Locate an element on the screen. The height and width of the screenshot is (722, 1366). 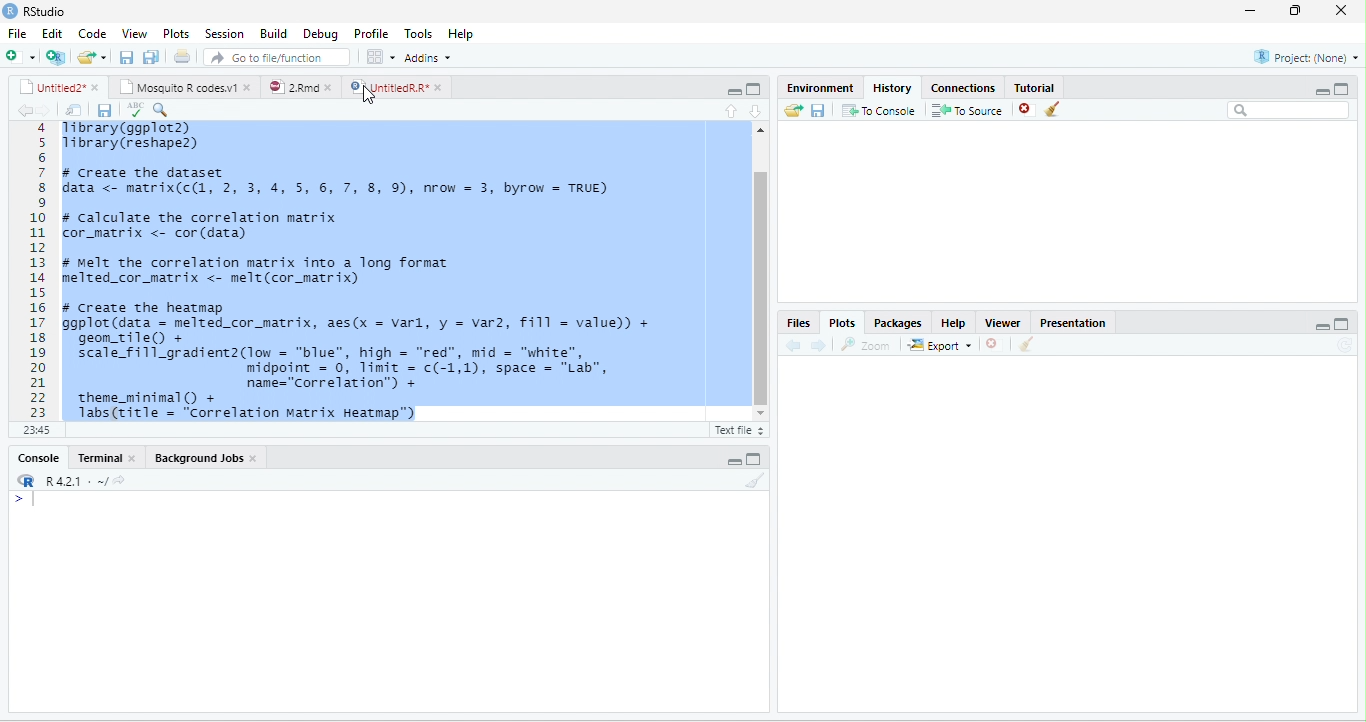
search bar is located at coordinates (1289, 111).